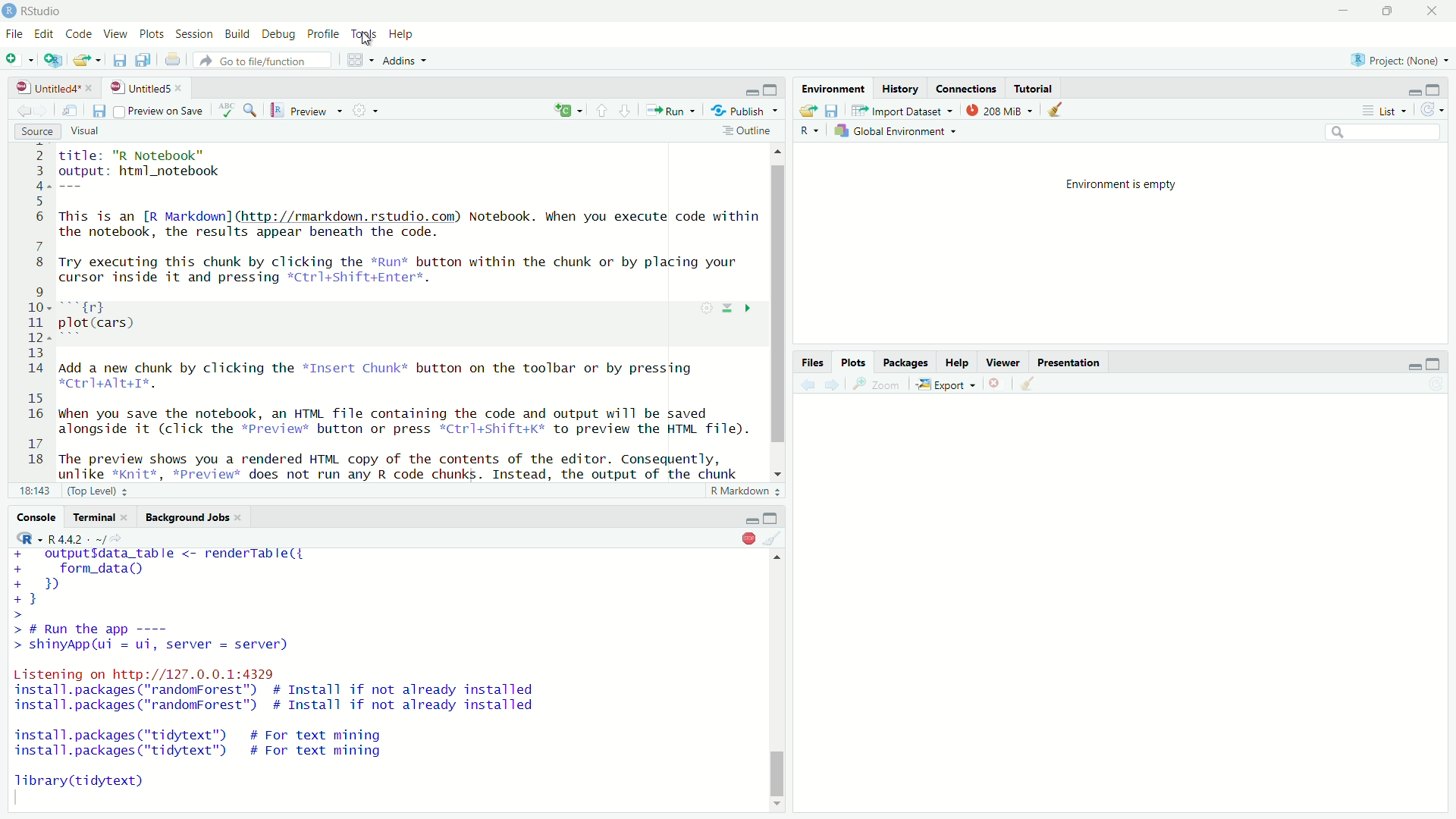  Describe the element at coordinates (1127, 185) in the screenshot. I see `Environment is empty` at that location.